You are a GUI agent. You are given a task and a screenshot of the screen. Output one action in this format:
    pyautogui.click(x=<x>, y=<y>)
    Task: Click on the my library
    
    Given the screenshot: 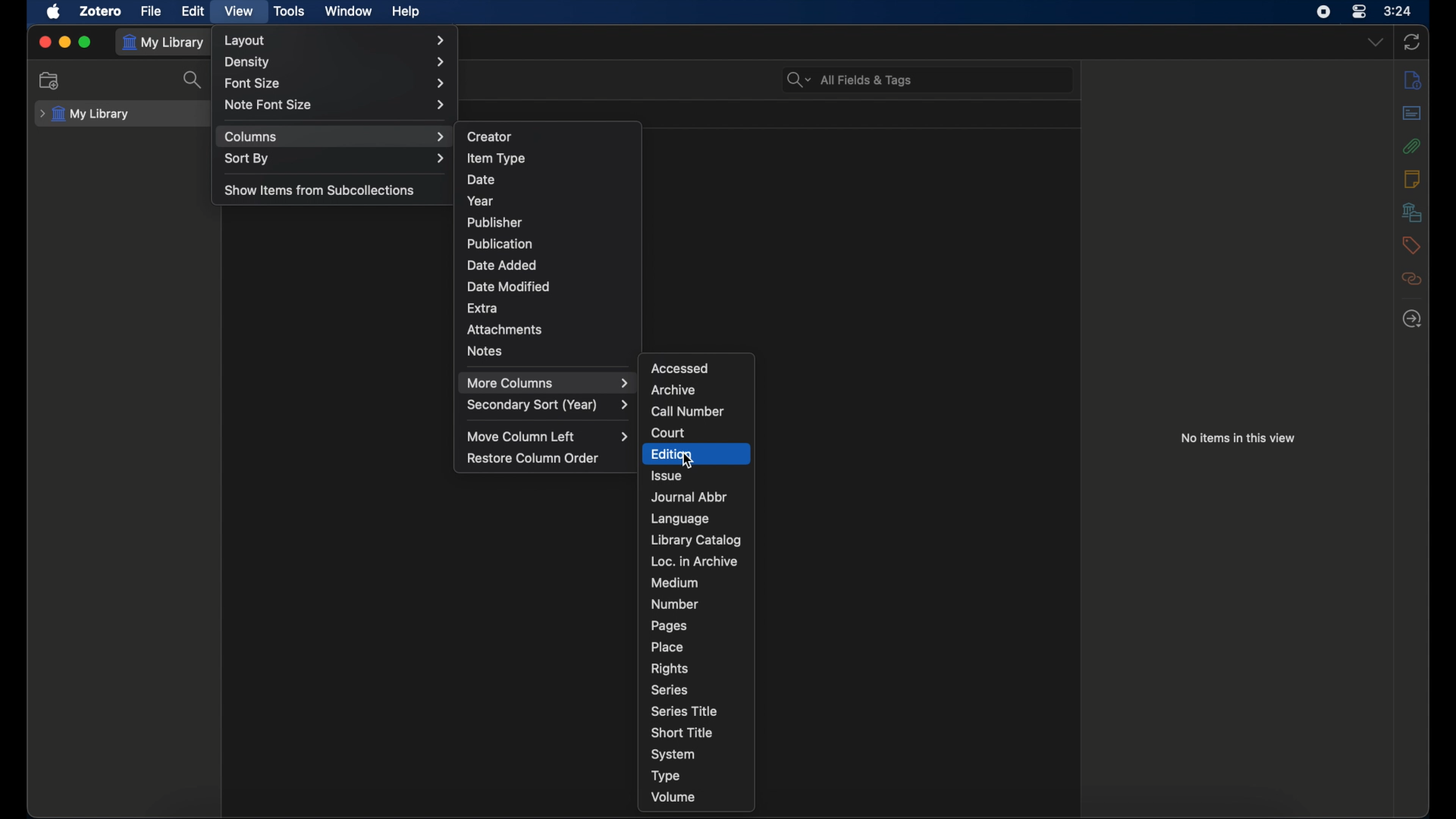 What is the action you would take?
    pyautogui.click(x=167, y=43)
    